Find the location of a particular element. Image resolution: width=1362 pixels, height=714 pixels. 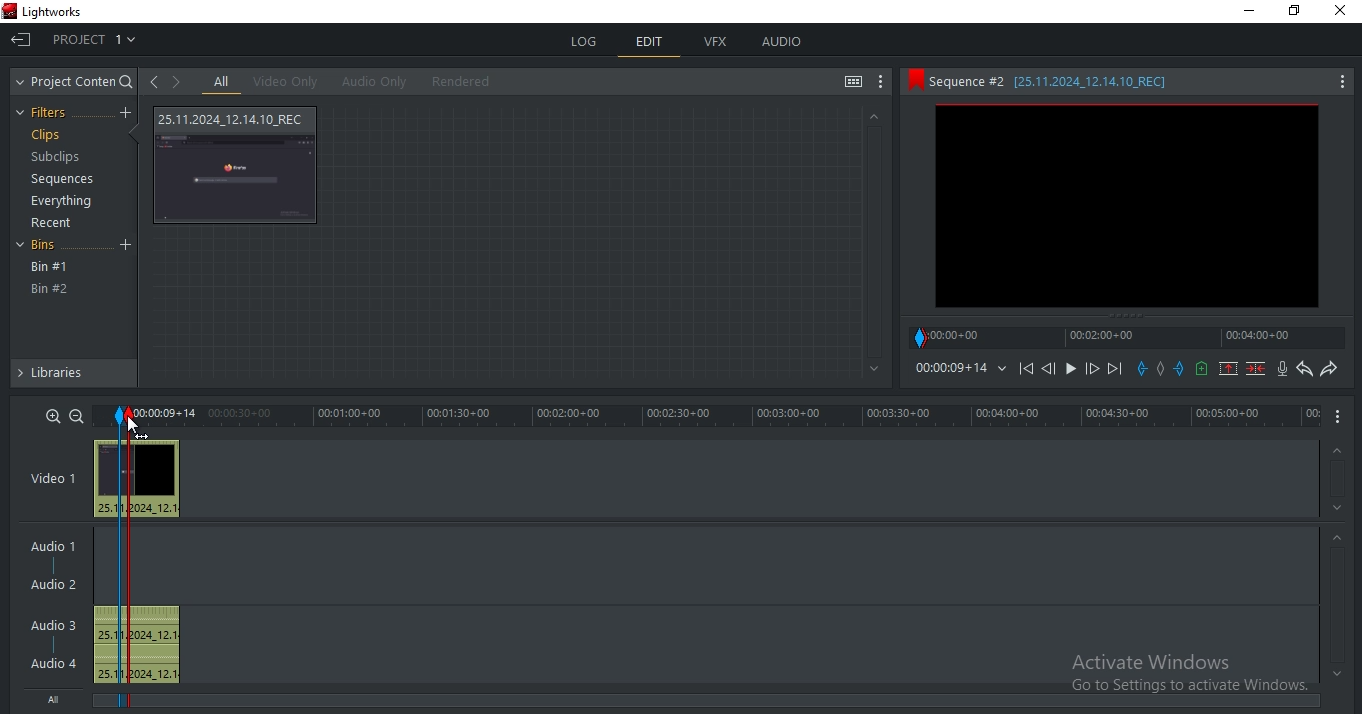

zoom out is located at coordinates (76, 415).